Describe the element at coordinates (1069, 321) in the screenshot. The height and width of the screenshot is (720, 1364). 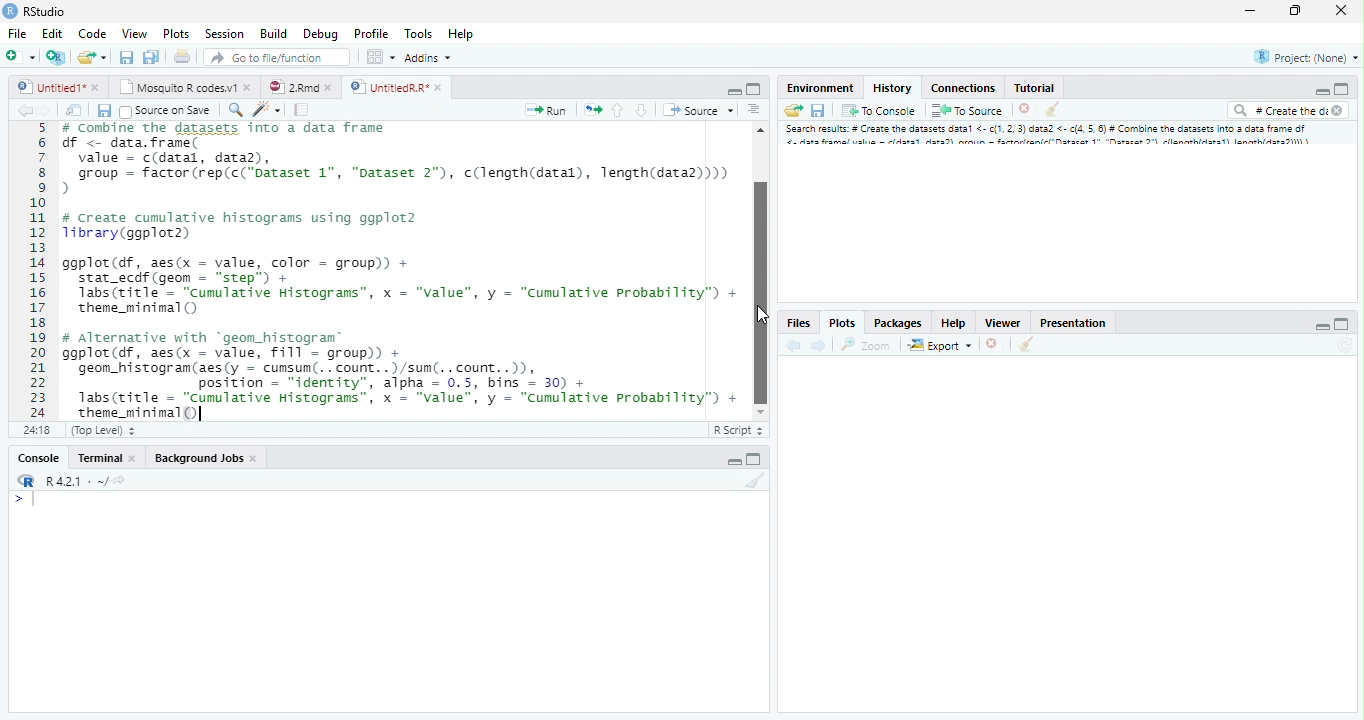
I see `Prsentation` at that location.